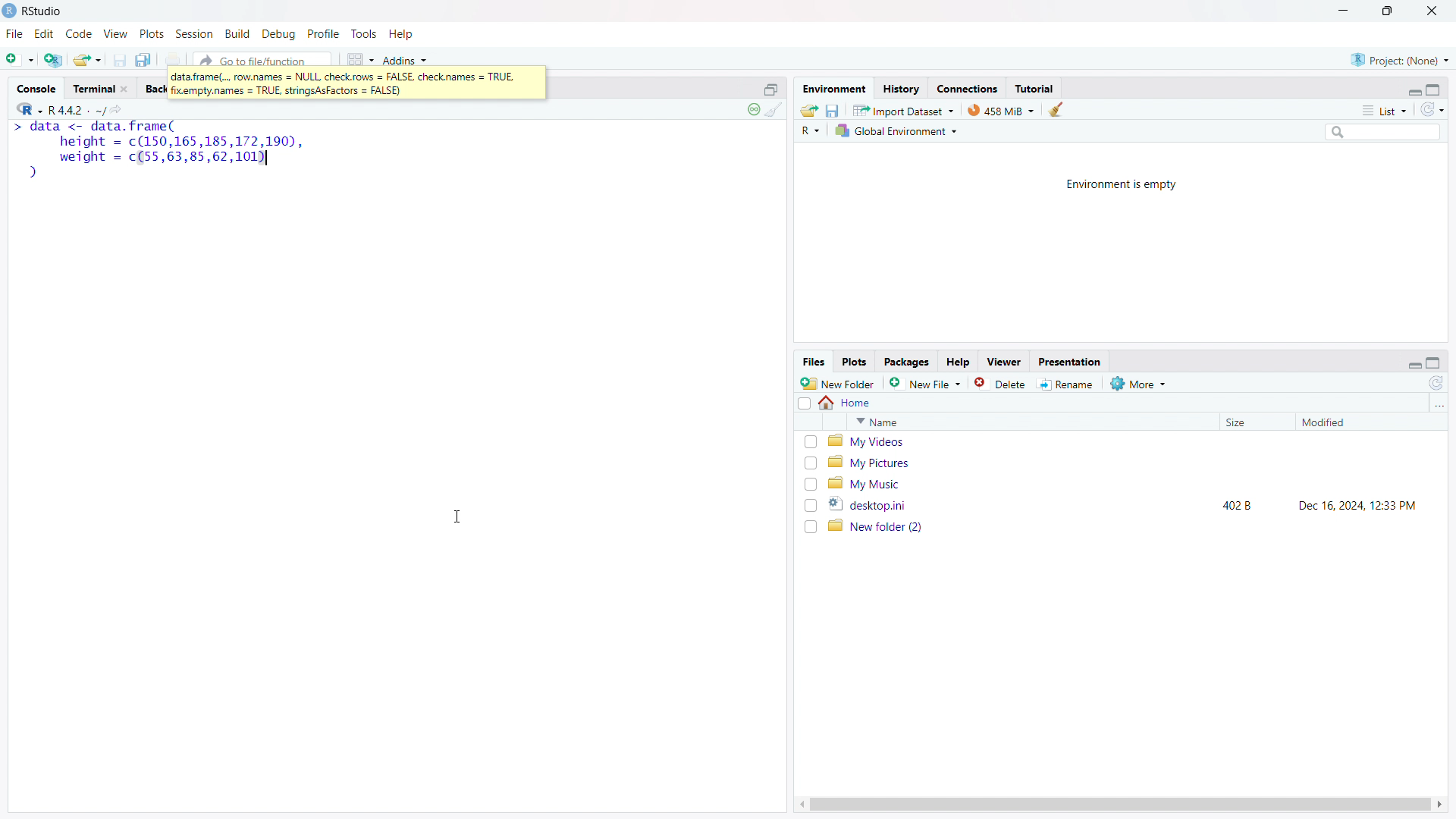 This screenshot has width=1456, height=819. What do you see at coordinates (262, 58) in the screenshot?
I see `go to file/function` at bounding box center [262, 58].